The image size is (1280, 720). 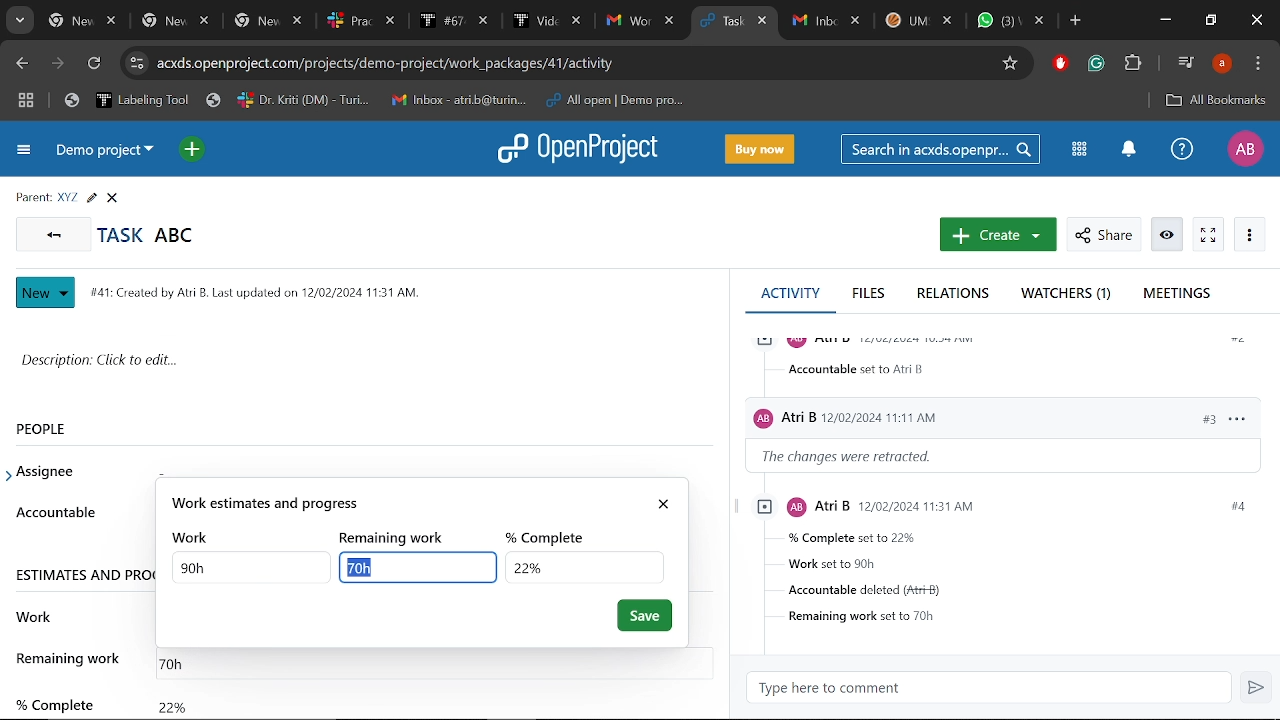 I want to click on work estimate and progress, so click(x=403, y=503).